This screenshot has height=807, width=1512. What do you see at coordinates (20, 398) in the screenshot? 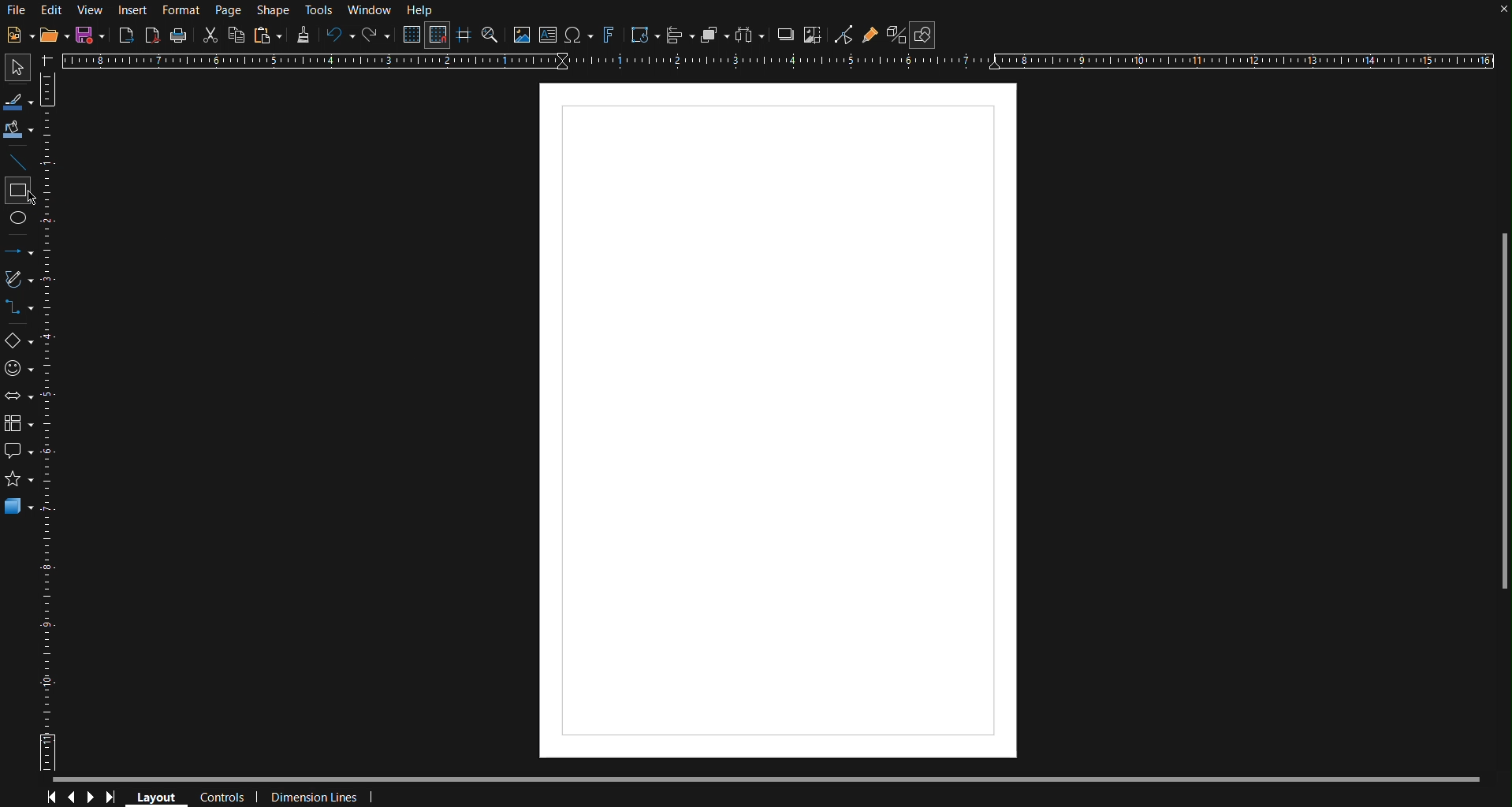
I see `Block Arrows` at bounding box center [20, 398].